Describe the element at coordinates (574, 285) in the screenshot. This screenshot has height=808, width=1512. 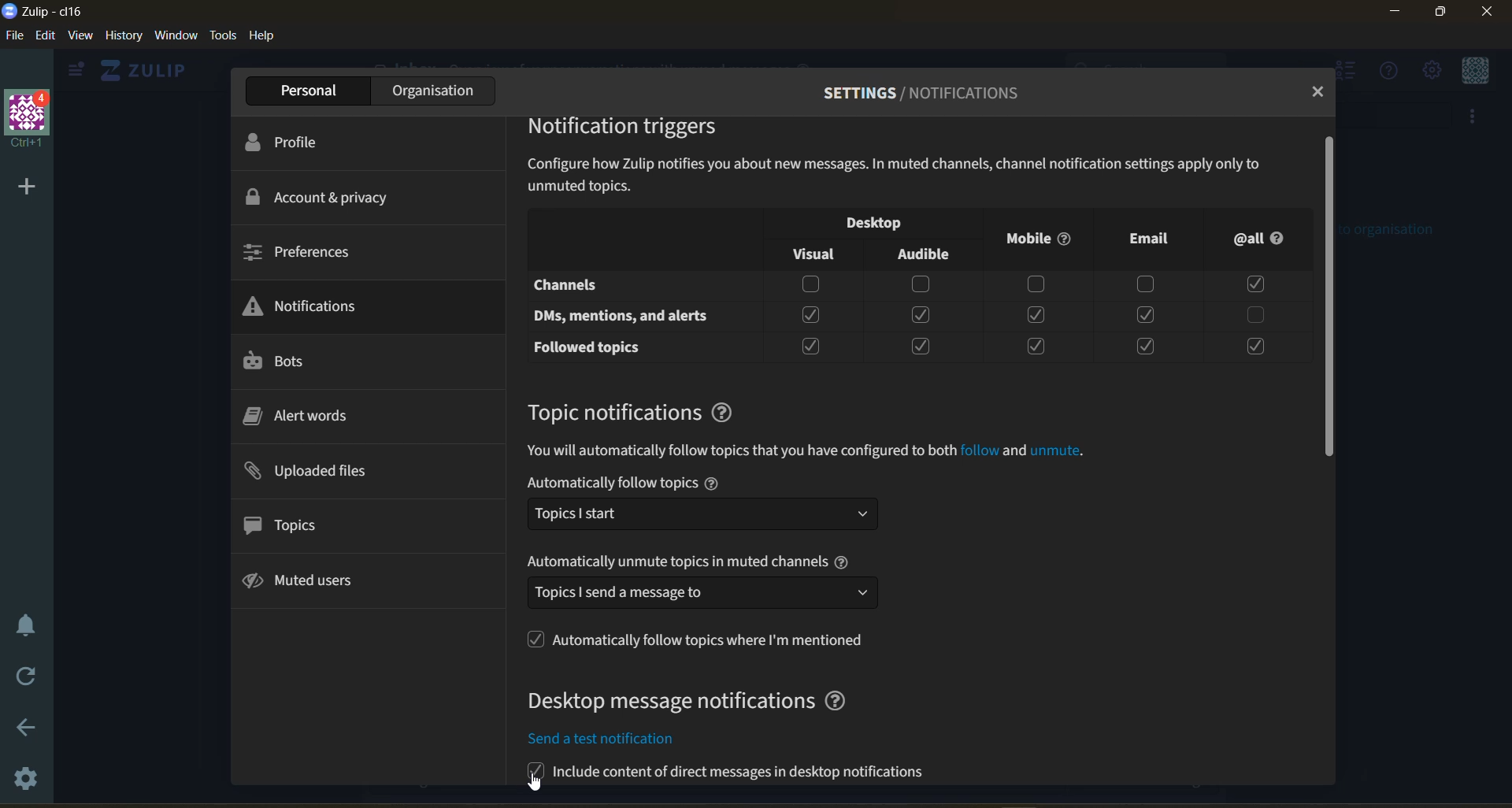
I see `Channels` at that location.